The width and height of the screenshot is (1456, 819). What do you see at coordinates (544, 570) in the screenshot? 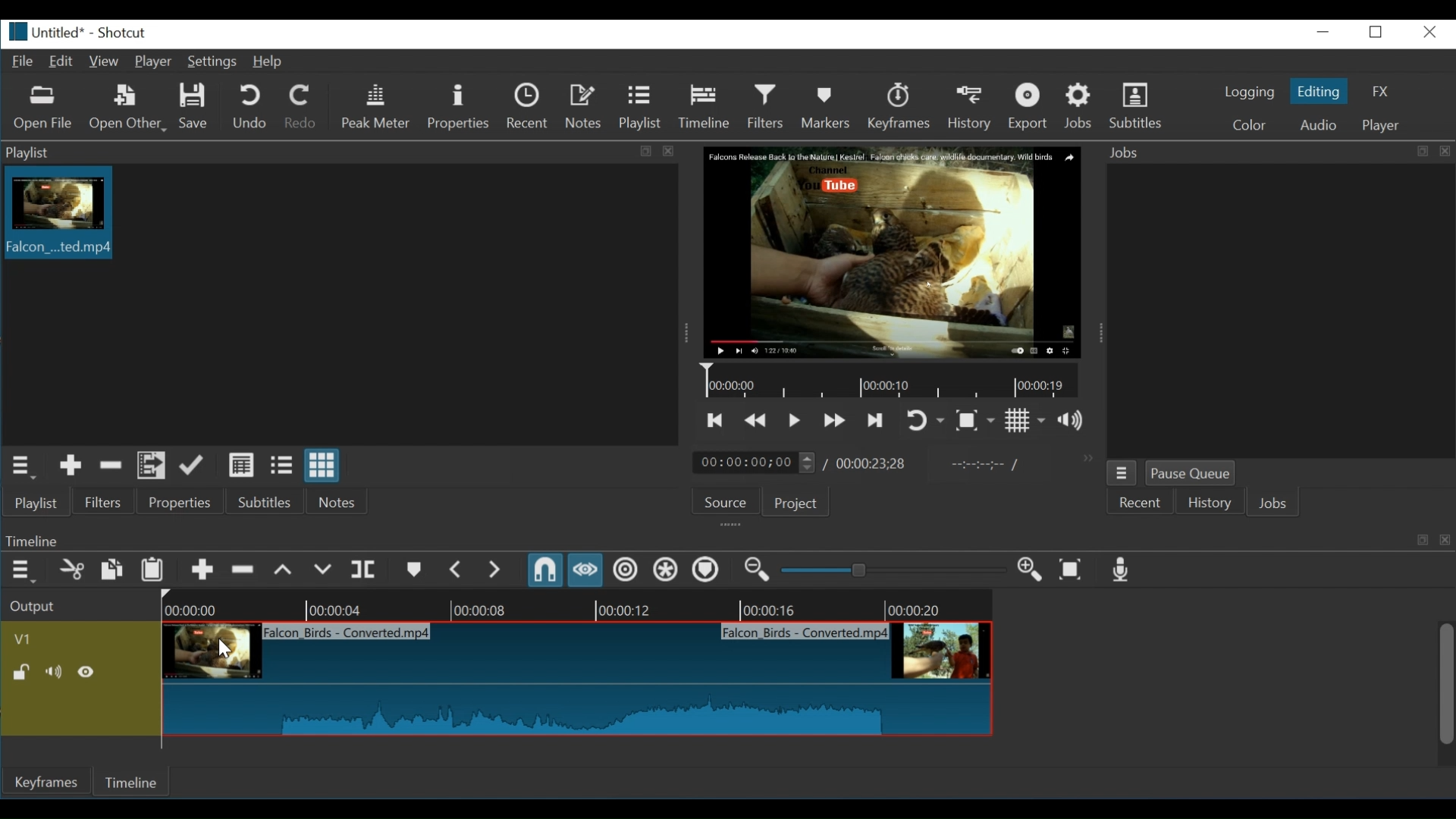
I see `Snap` at bounding box center [544, 570].